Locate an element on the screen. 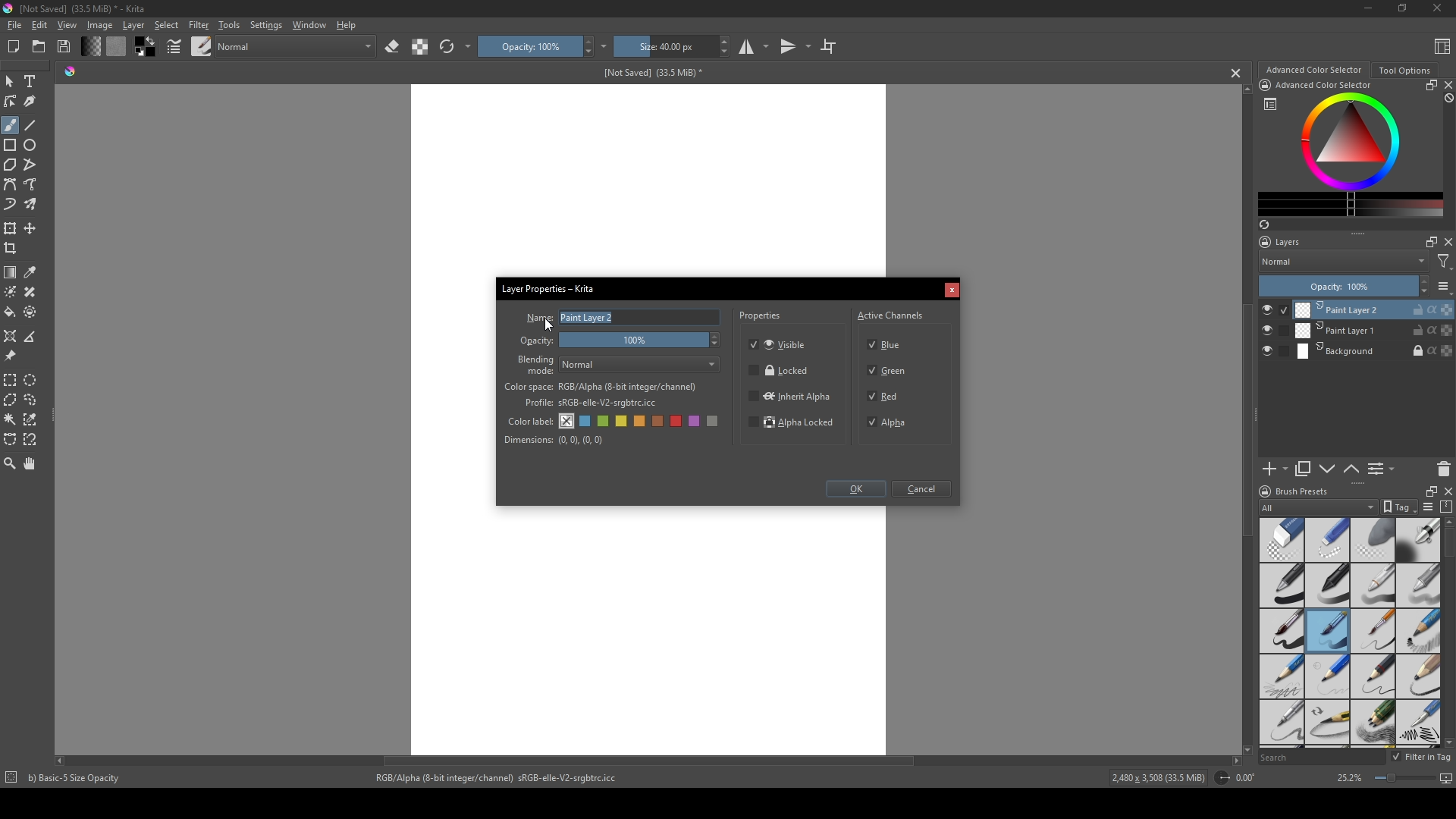  Locked is located at coordinates (780, 371).